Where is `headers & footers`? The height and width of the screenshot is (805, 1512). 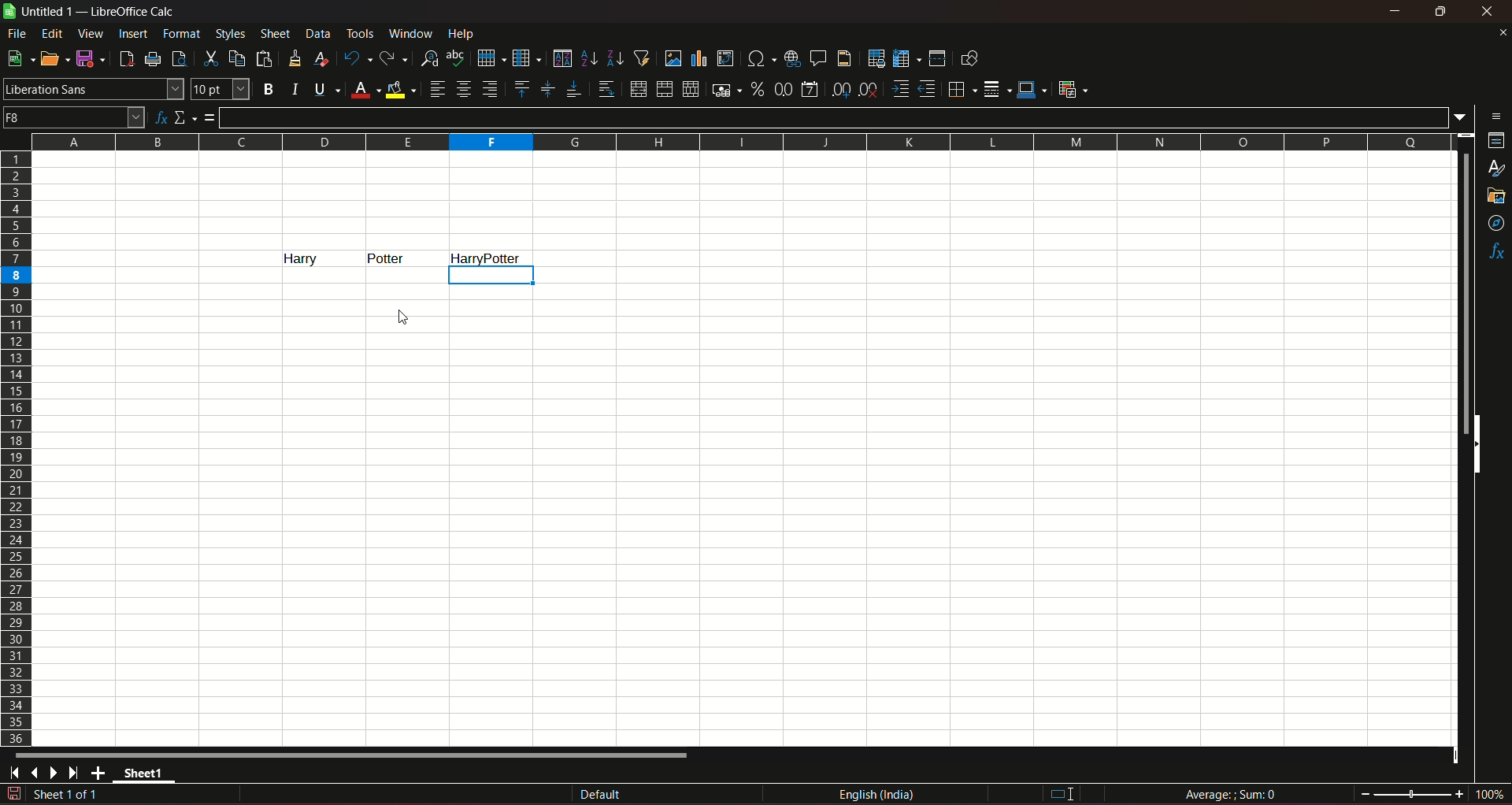 headers & footers is located at coordinates (843, 57).